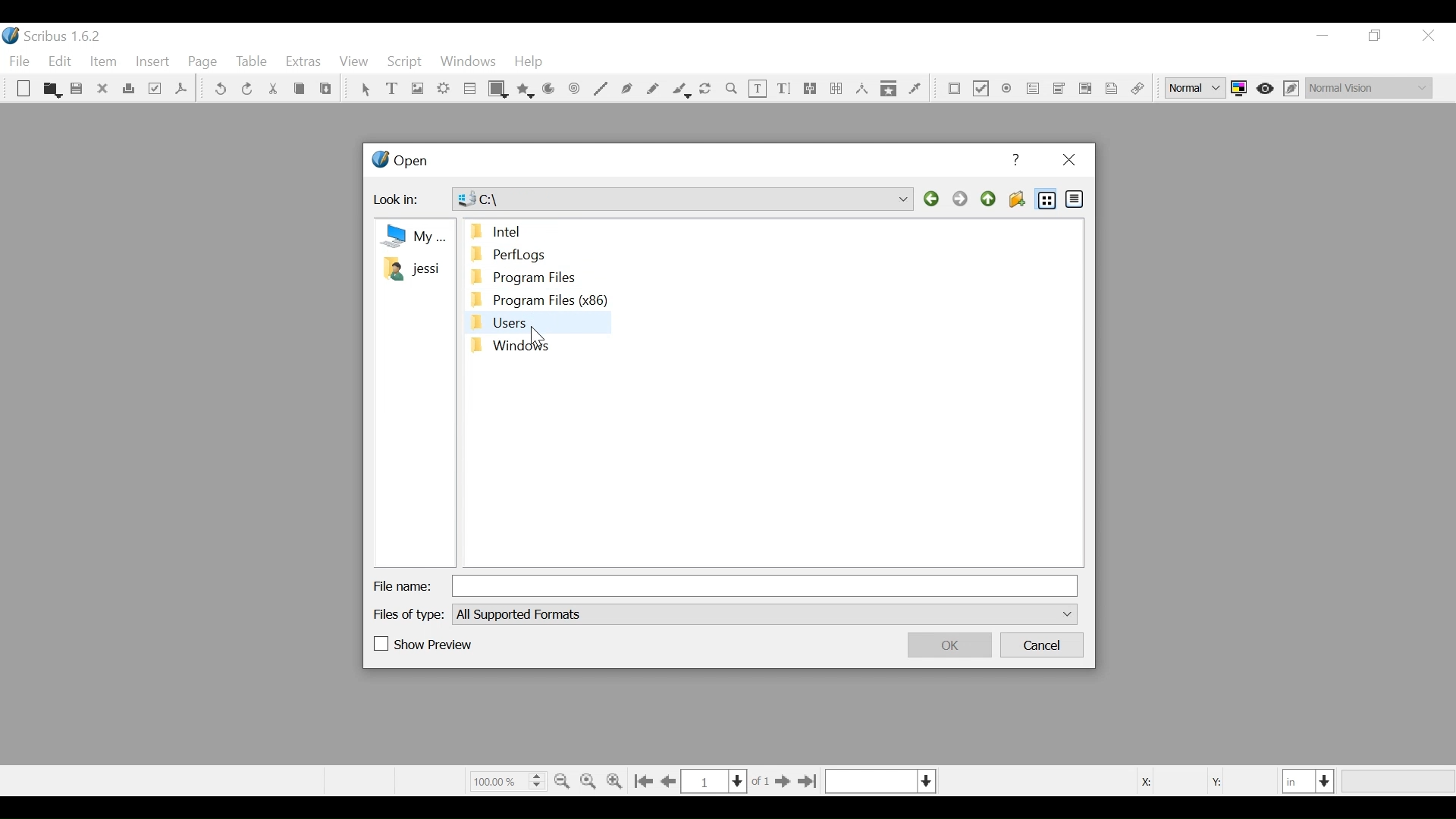  Describe the element at coordinates (1323, 36) in the screenshot. I see `minimize` at that location.